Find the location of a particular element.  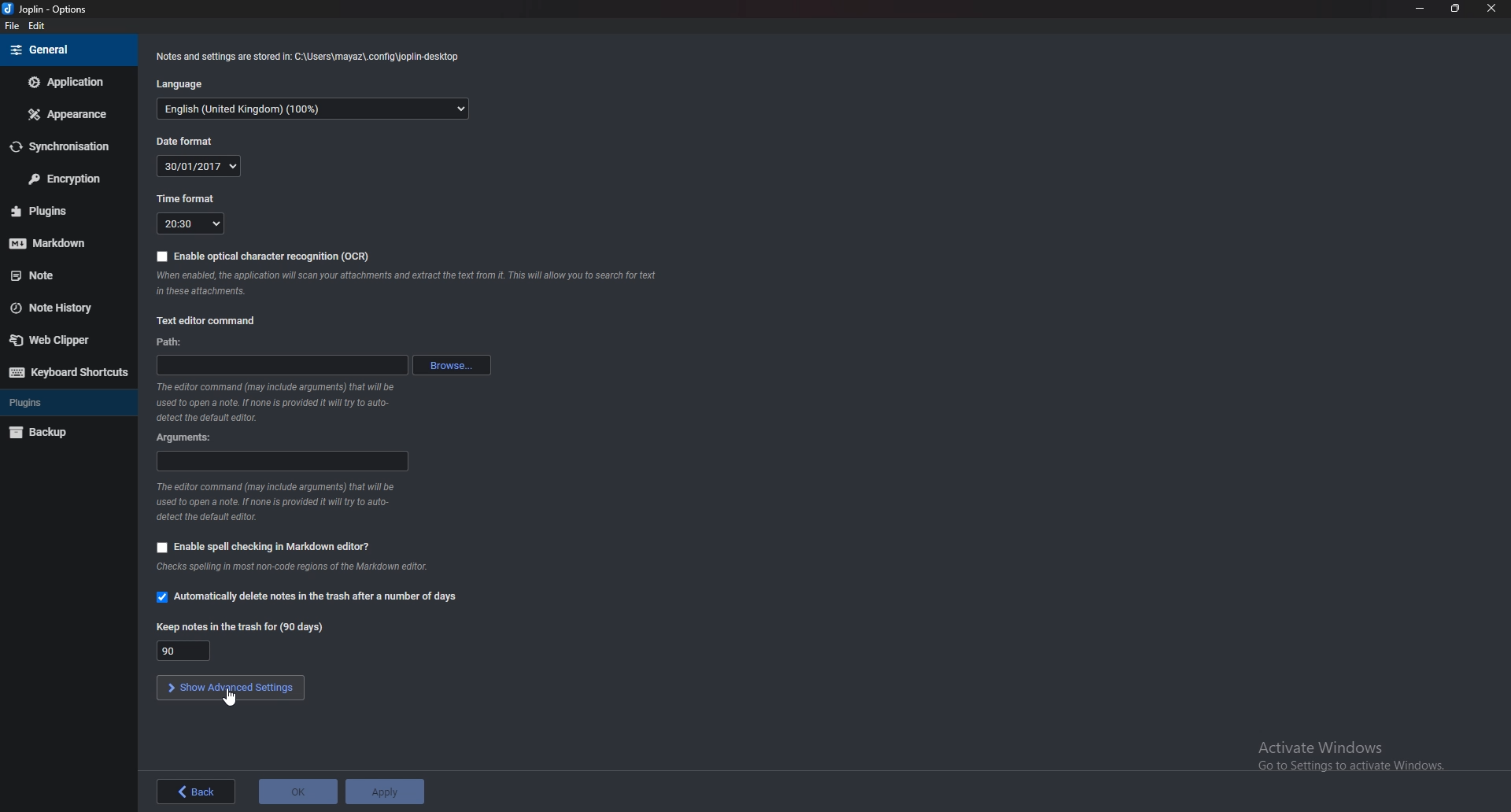

Enable O C r is located at coordinates (264, 257).